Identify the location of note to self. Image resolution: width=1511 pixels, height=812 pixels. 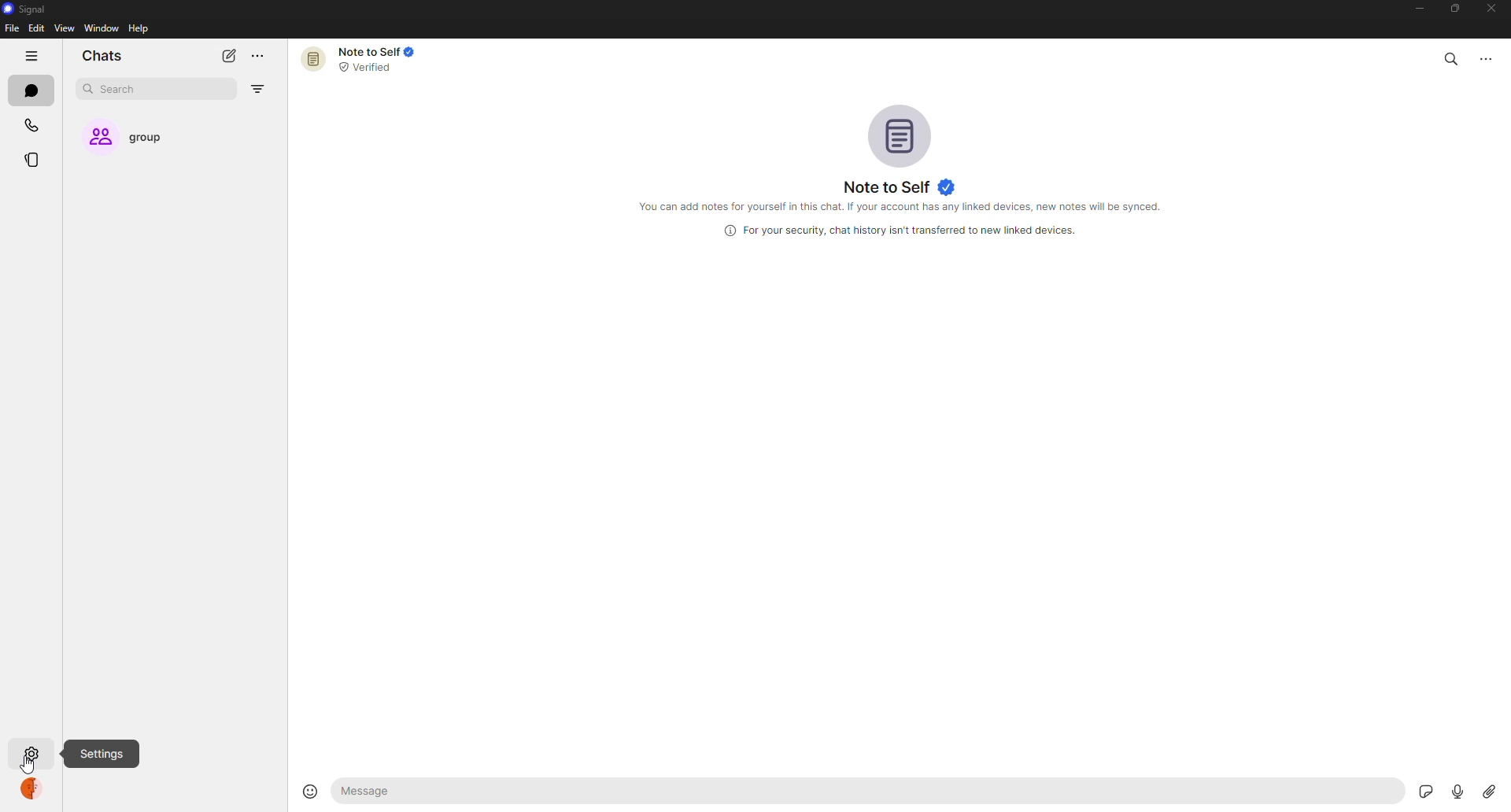
(900, 186).